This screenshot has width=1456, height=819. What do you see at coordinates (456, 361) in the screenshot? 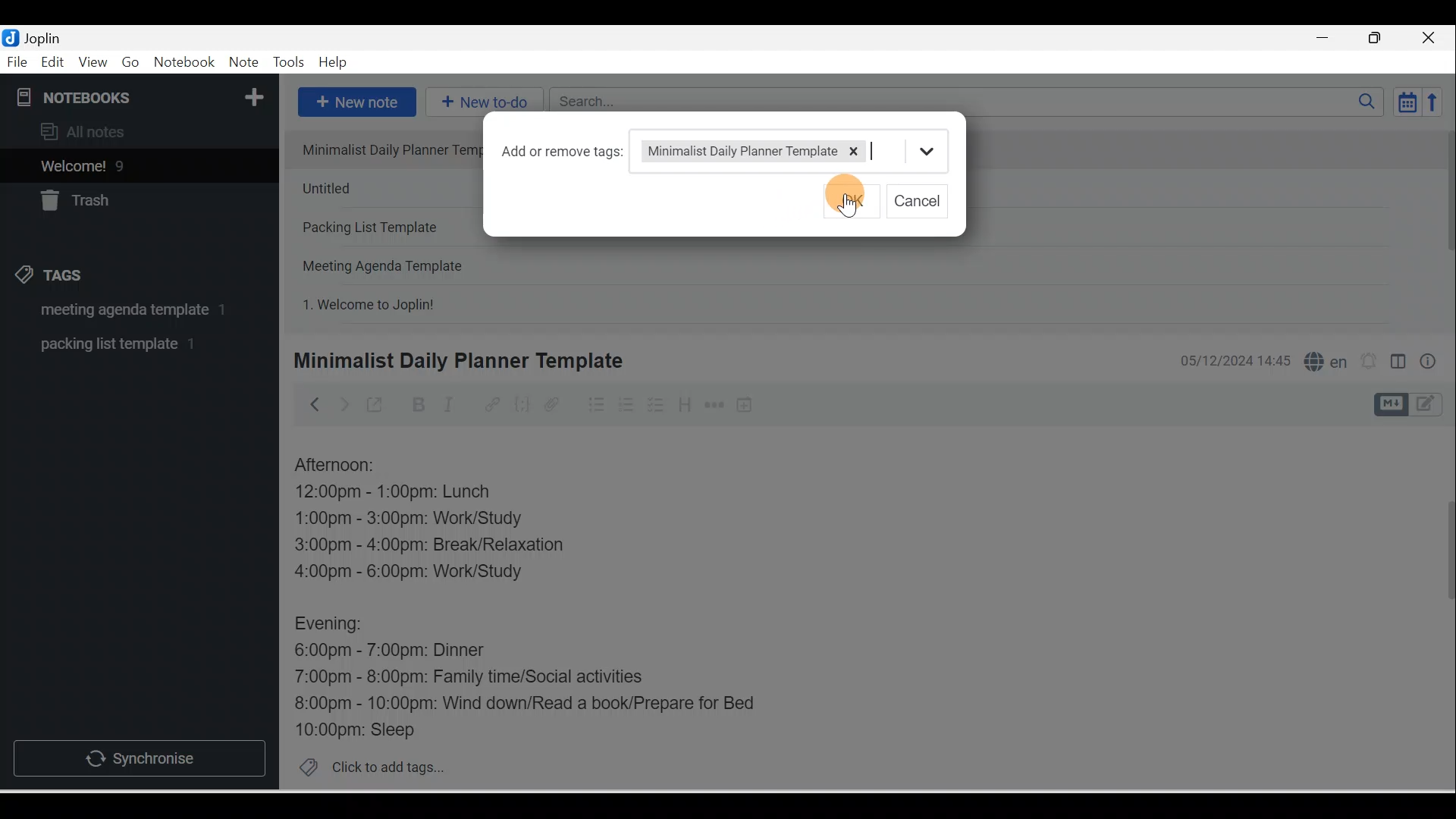
I see `Minimalist Daily Planner Template` at bounding box center [456, 361].